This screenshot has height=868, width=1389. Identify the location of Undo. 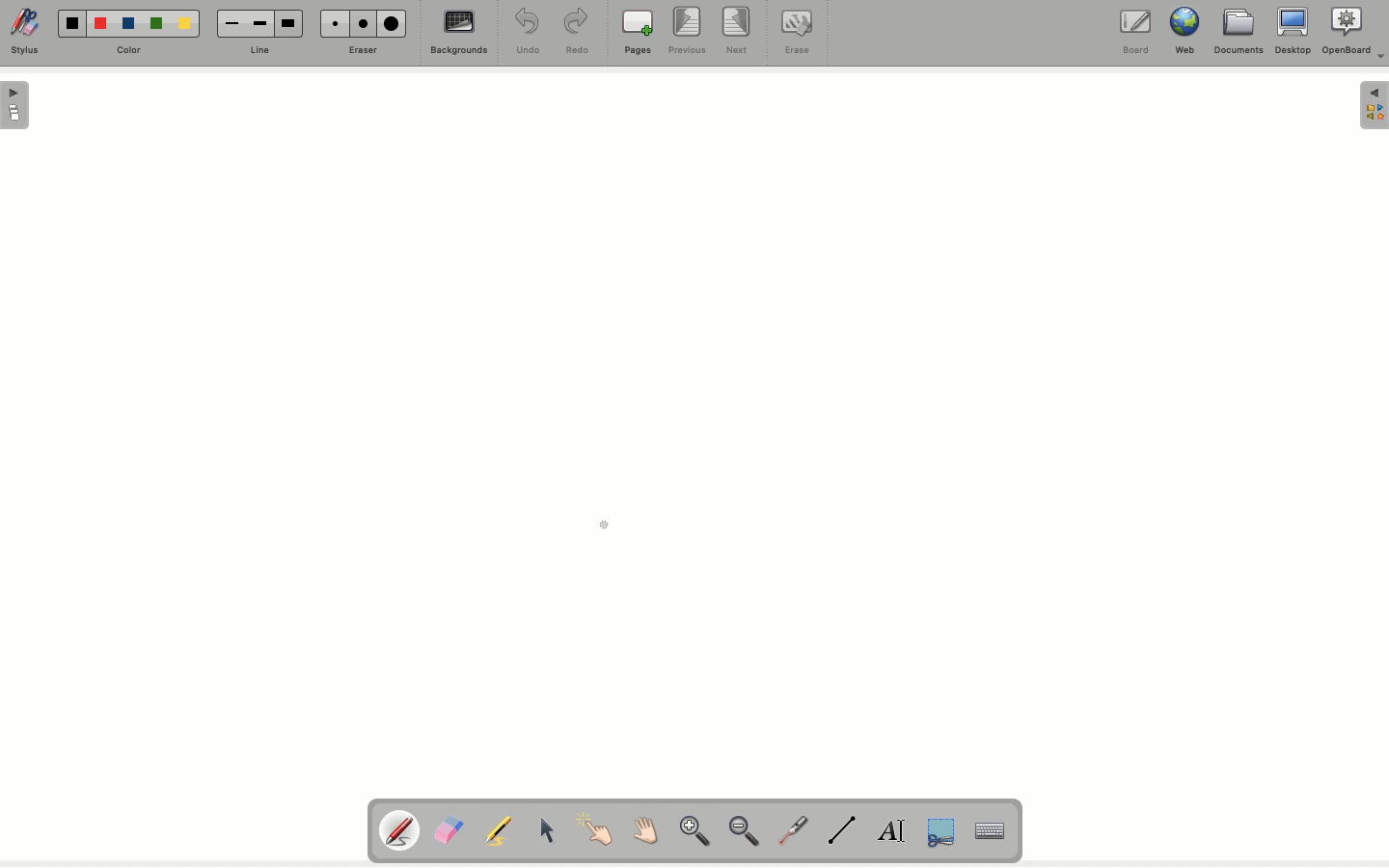
(526, 31).